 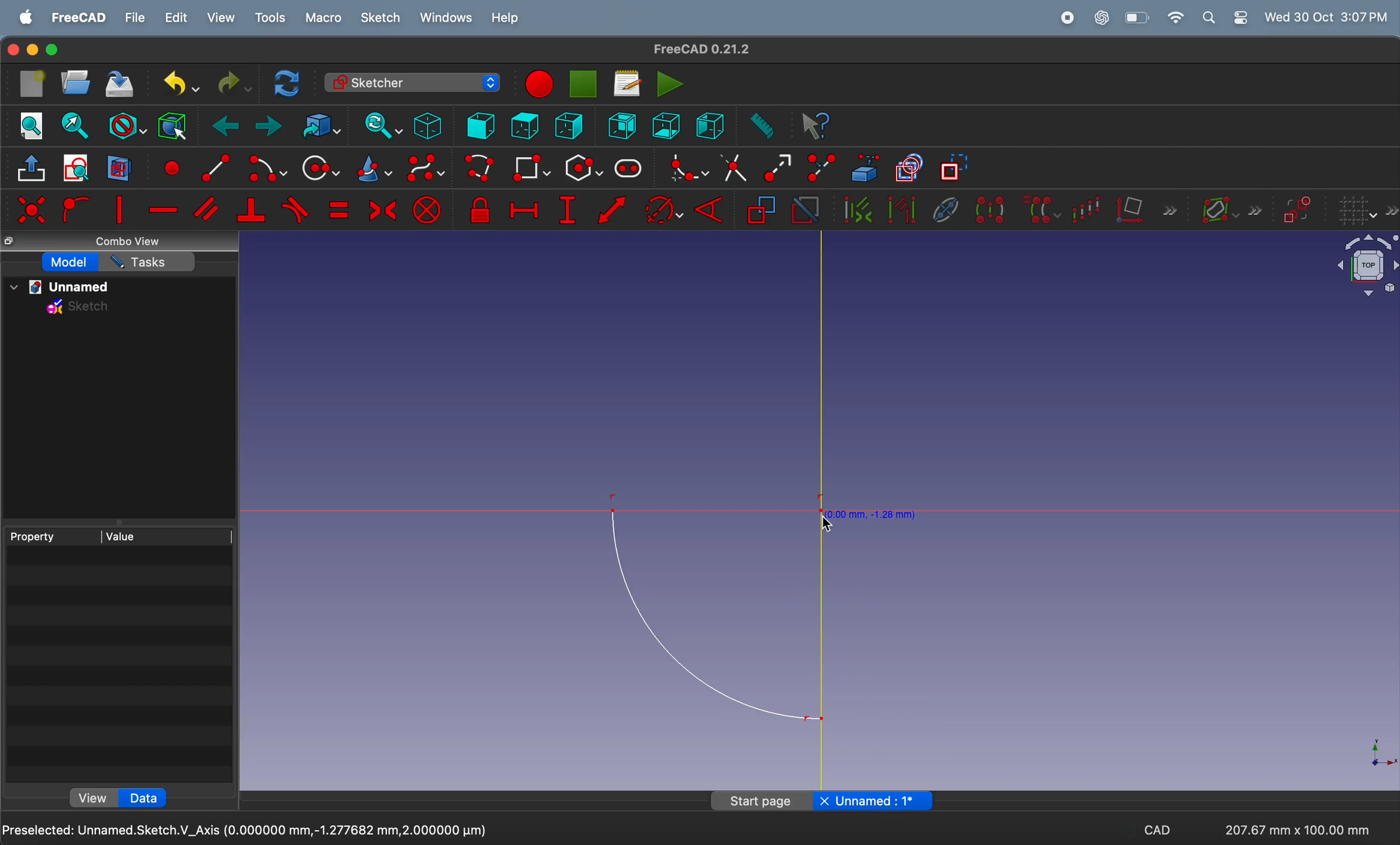 I want to click on rear view, so click(x=625, y=125).